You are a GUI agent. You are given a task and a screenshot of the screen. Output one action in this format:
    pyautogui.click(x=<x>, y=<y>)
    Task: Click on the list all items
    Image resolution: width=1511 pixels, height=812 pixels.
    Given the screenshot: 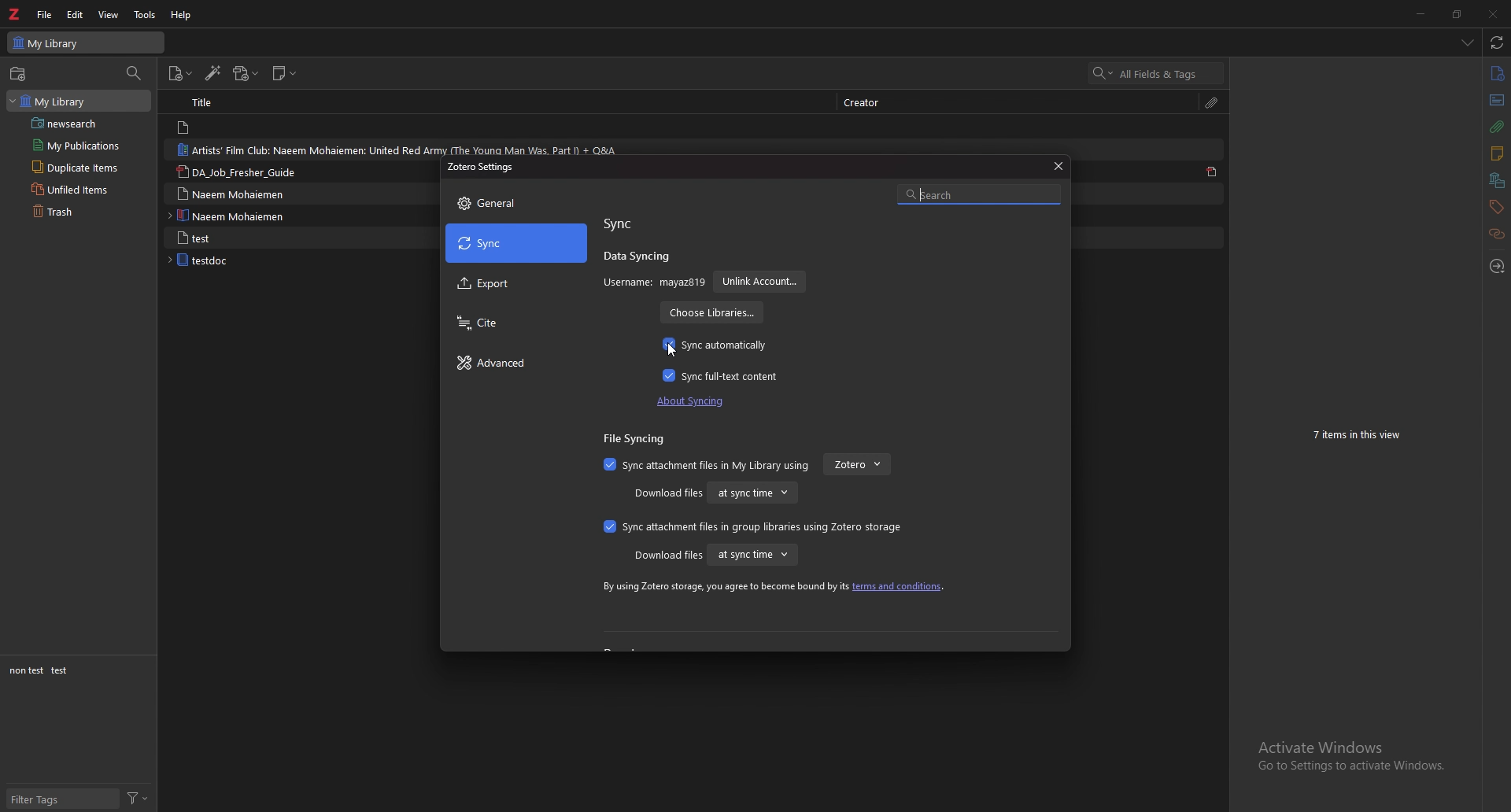 What is the action you would take?
    pyautogui.click(x=1467, y=42)
    